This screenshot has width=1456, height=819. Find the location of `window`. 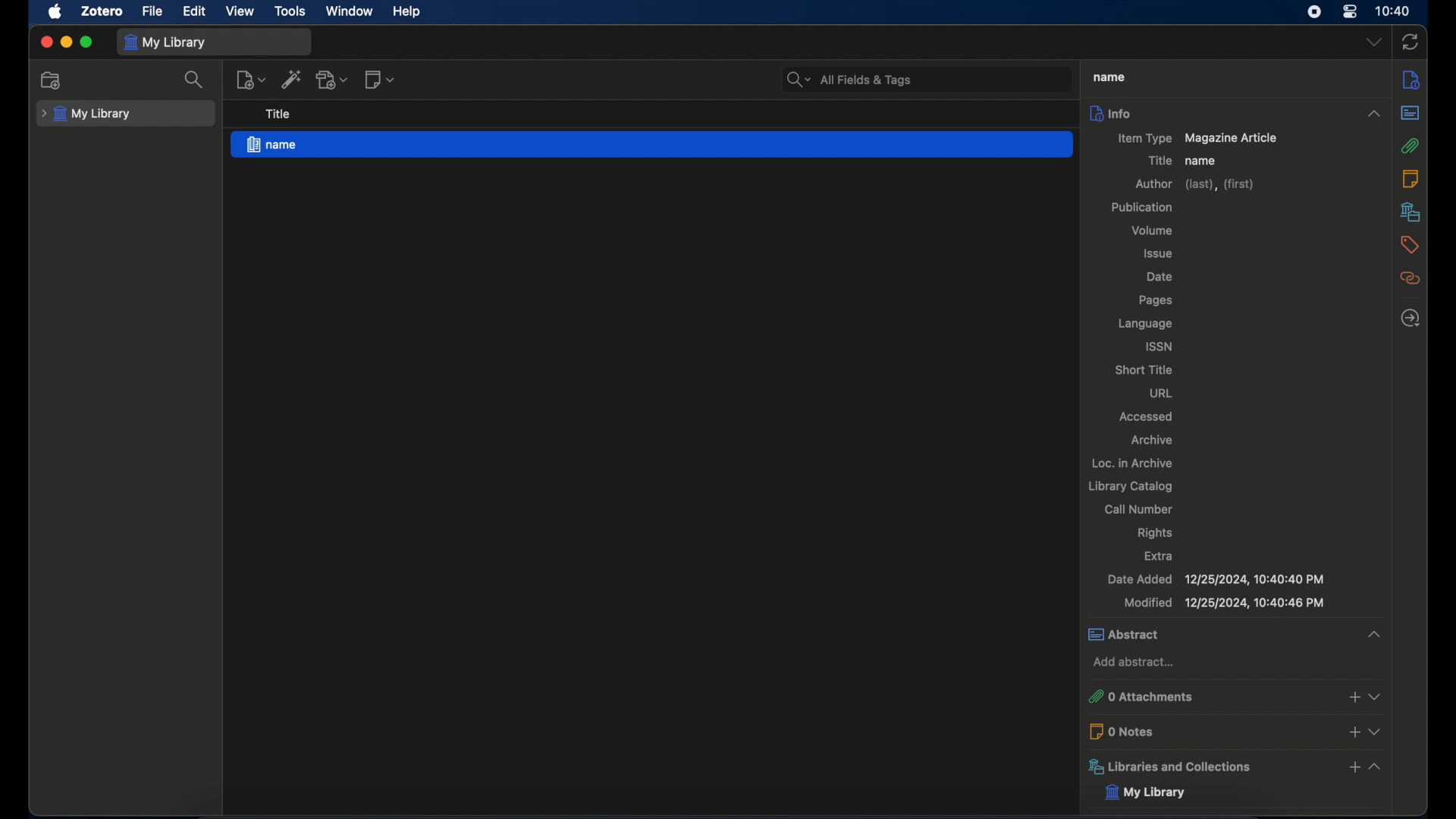

window is located at coordinates (350, 11).